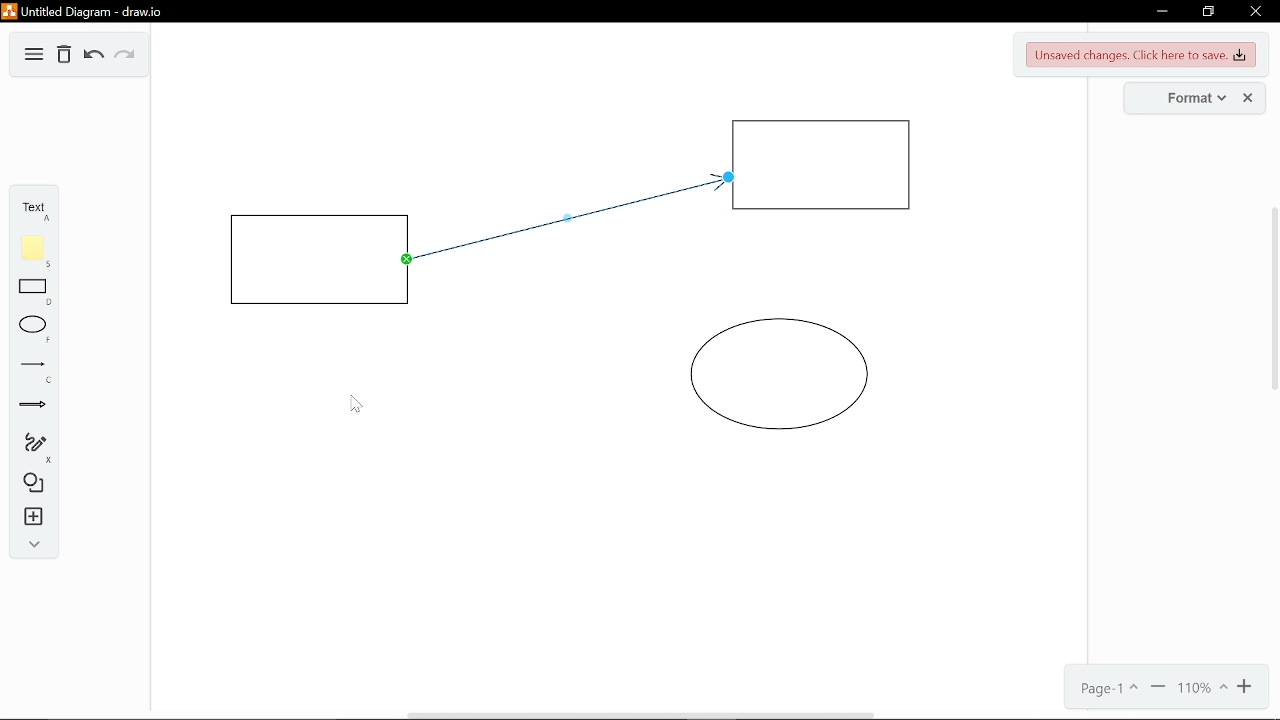 The height and width of the screenshot is (720, 1280). I want to click on Minimieze, so click(1161, 12).